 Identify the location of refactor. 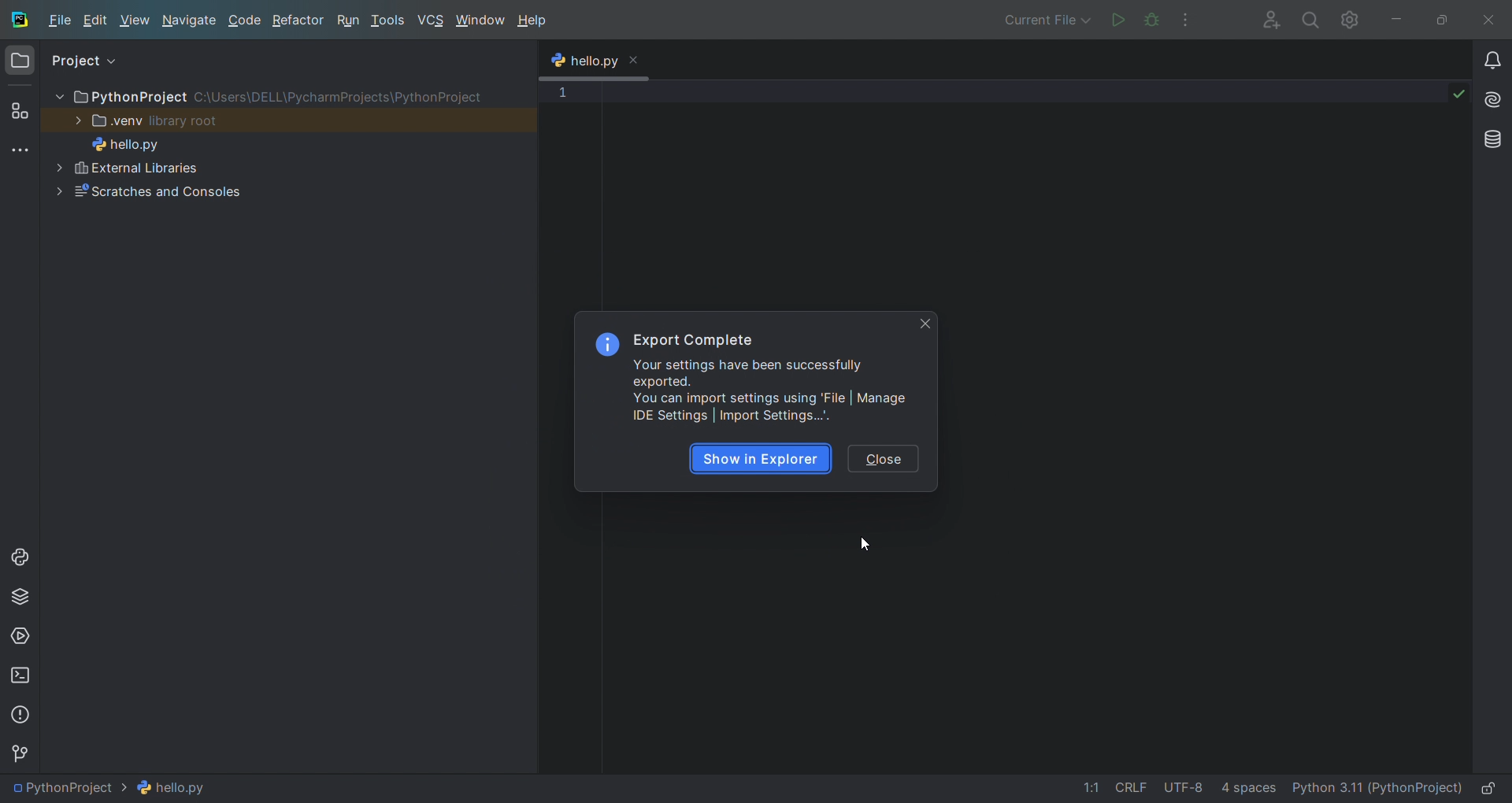
(298, 20).